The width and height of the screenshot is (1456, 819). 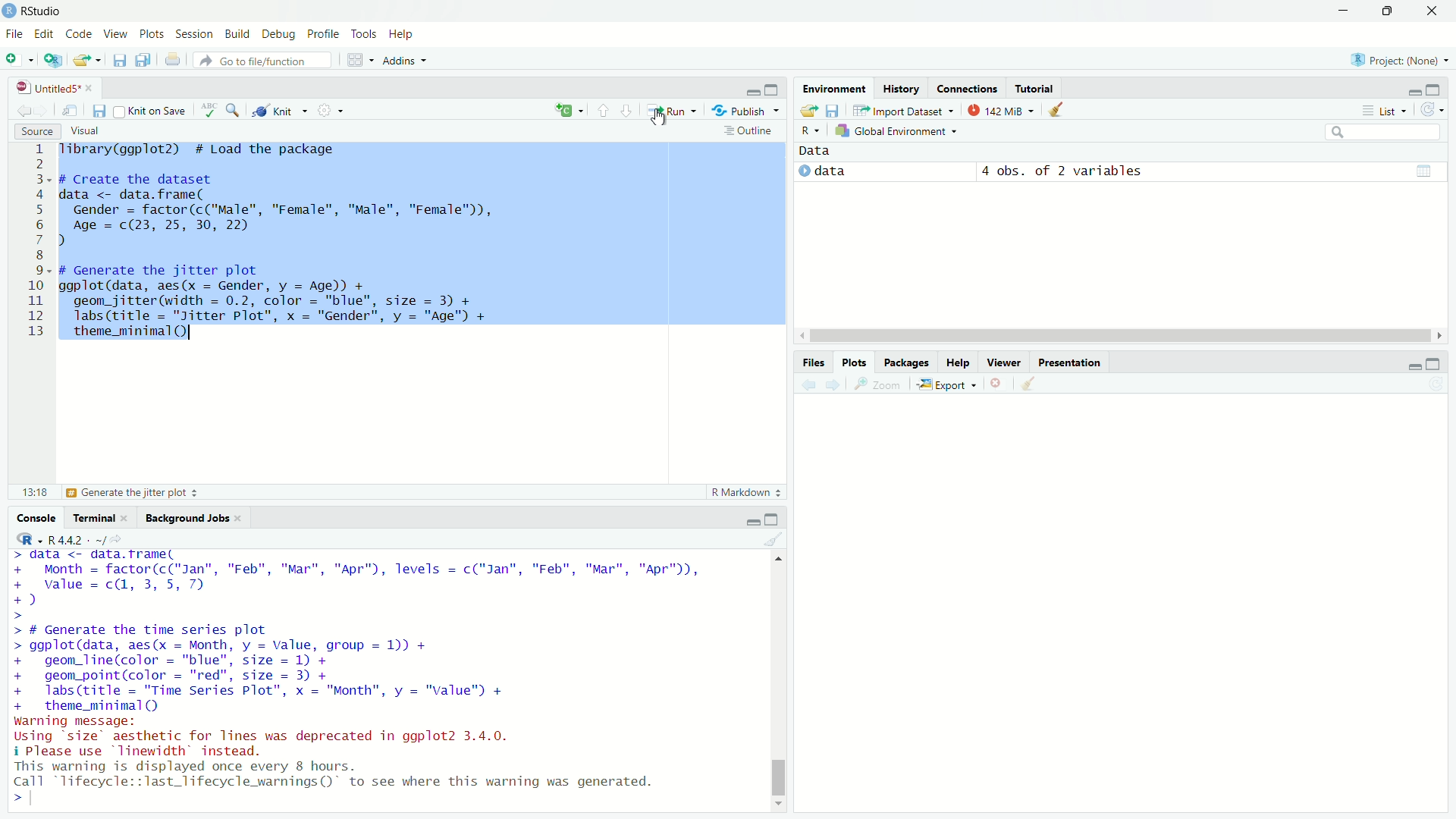 I want to click on untitled5, so click(x=42, y=88).